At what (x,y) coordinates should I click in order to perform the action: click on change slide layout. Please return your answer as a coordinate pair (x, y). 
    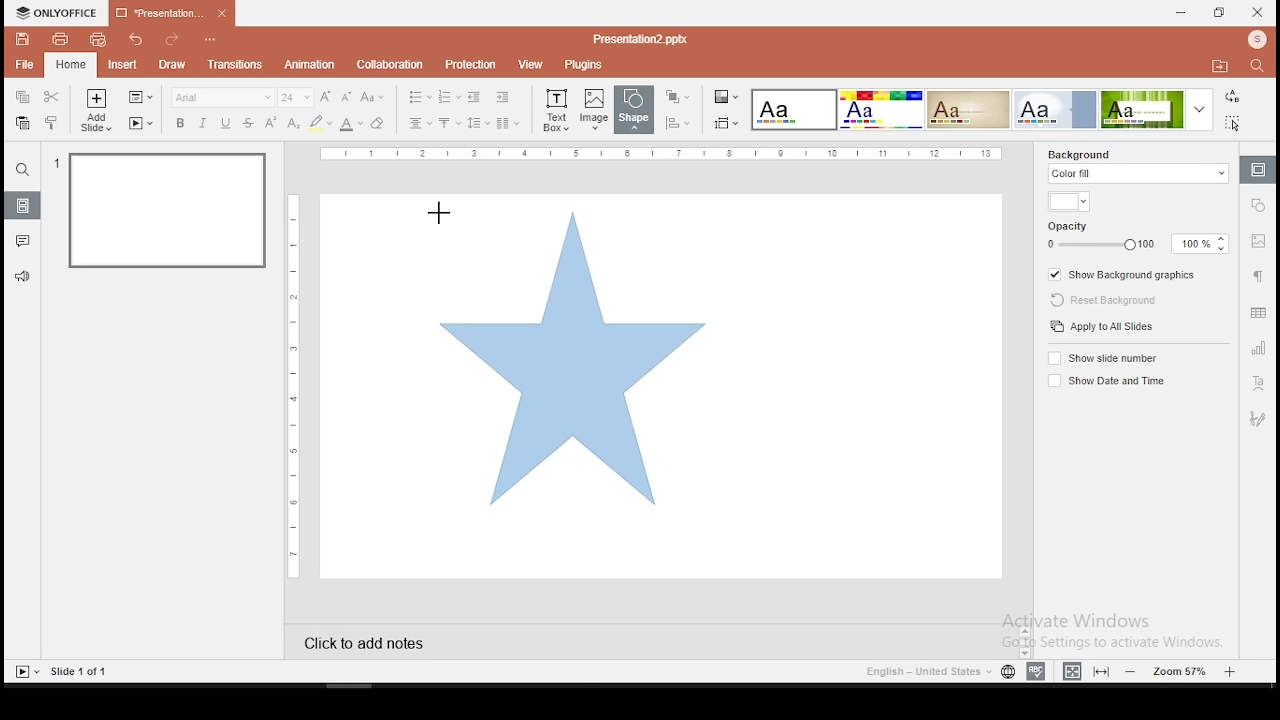
    Looking at the image, I should click on (139, 98).